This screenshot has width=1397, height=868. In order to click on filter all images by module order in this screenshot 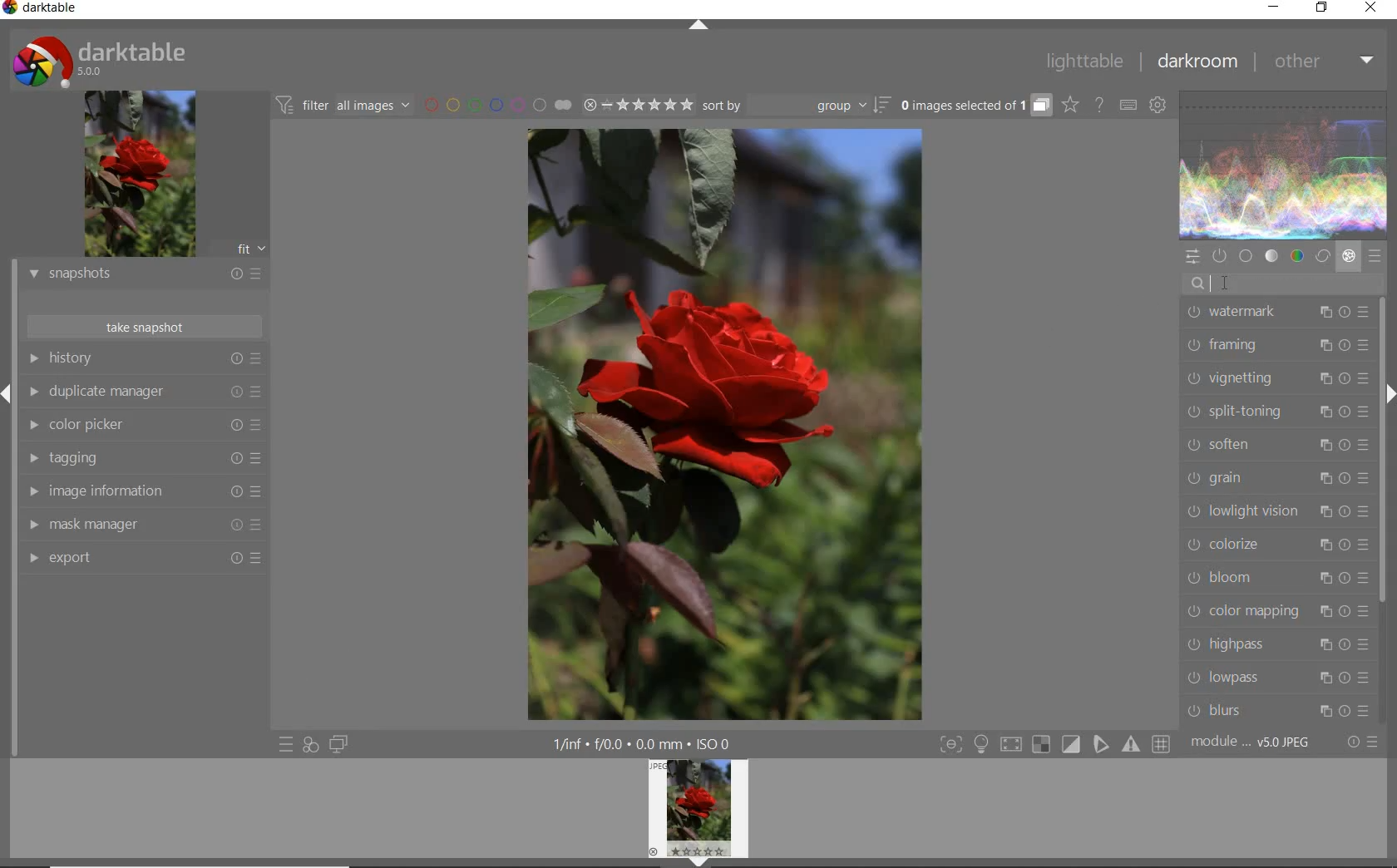, I will do `click(342, 105)`.